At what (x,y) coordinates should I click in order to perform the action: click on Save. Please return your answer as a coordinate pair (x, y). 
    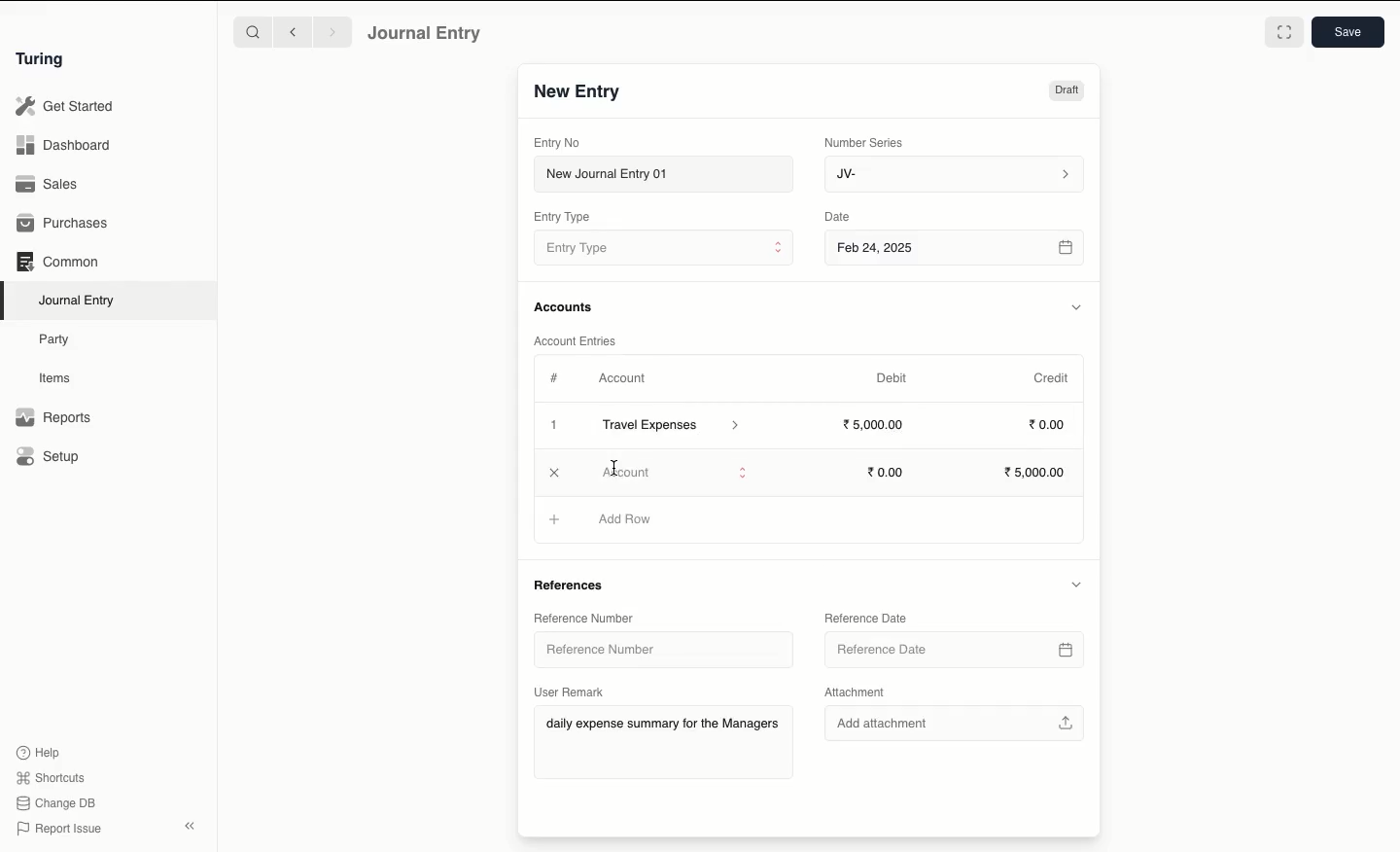
    Looking at the image, I should click on (1348, 32).